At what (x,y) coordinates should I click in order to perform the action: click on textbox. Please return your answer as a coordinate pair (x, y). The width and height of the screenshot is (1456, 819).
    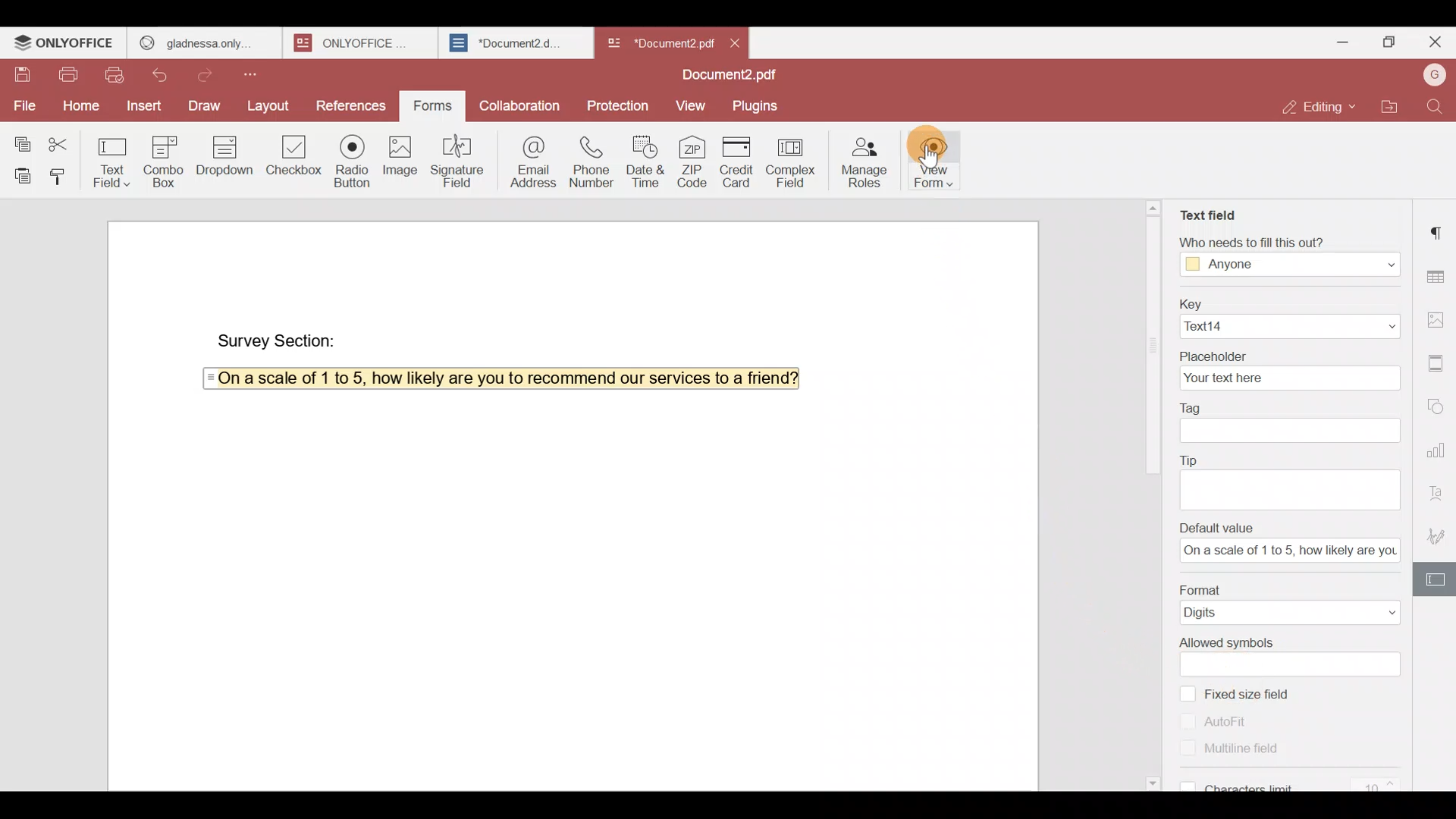
    Looking at the image, I should click on (1288, 429).